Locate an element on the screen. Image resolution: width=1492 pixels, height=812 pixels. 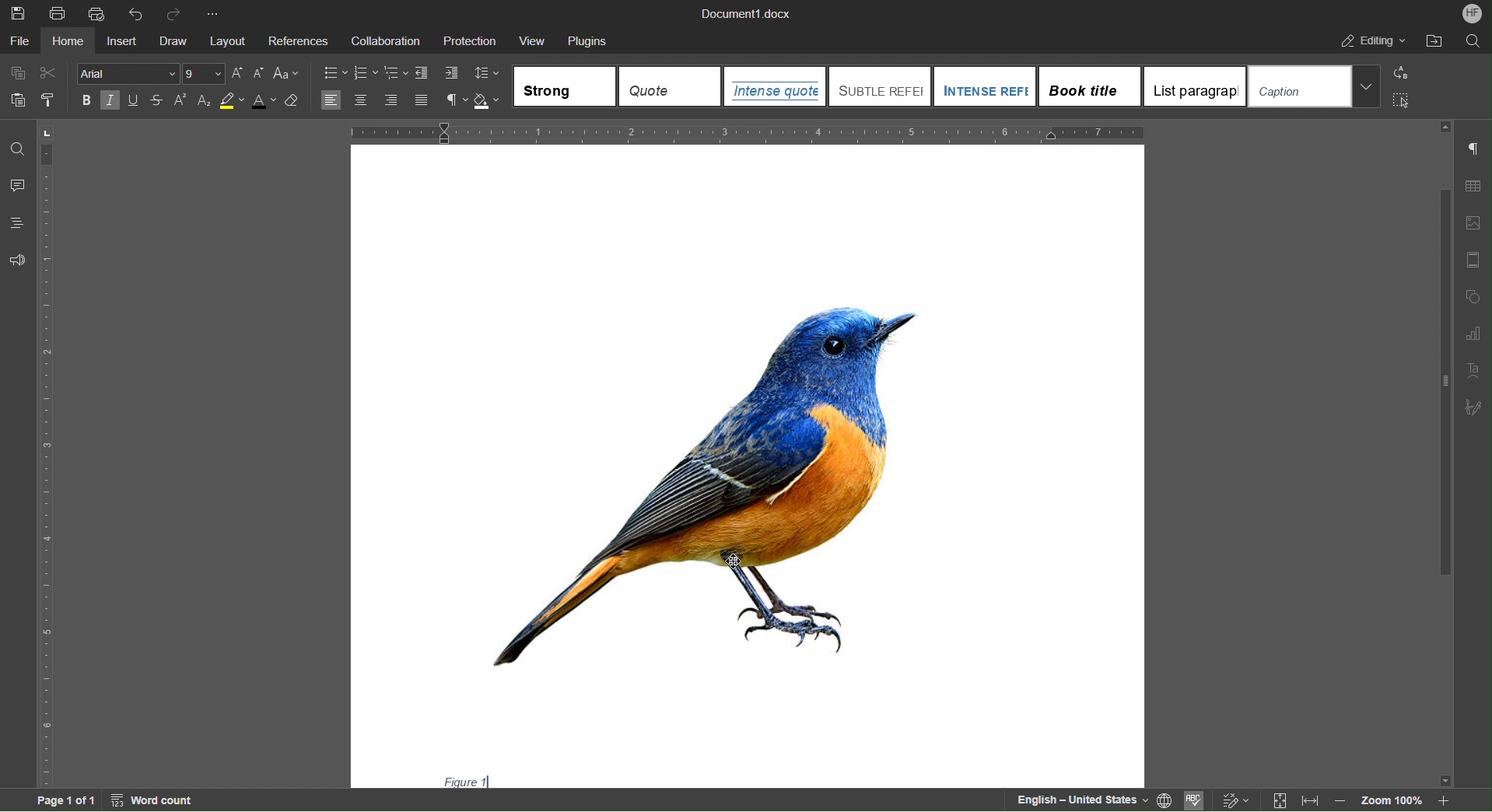
Decrease Indent is located at coordinates (423, 72).